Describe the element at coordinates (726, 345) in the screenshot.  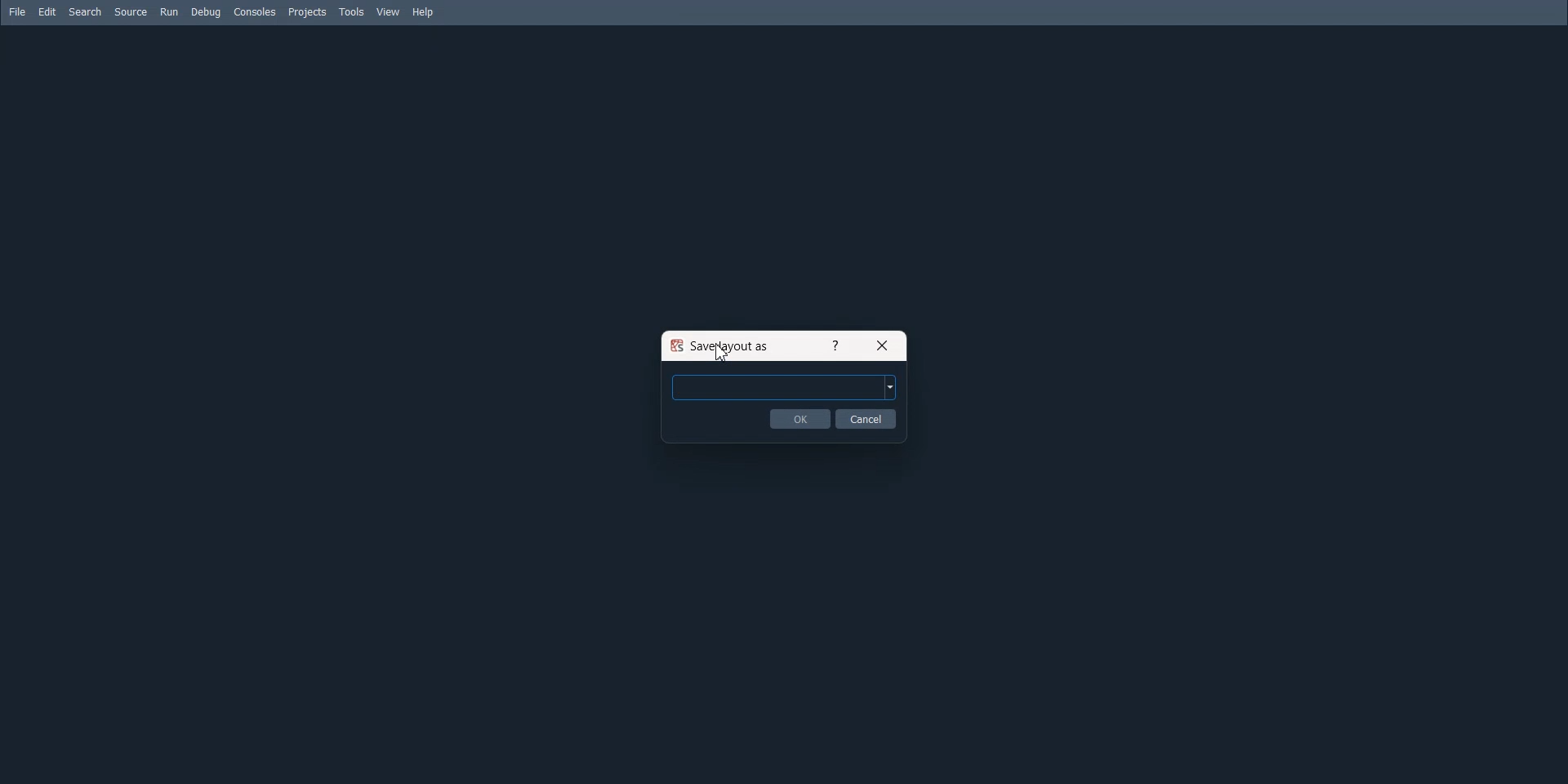
I see `Save layout as` at that location.